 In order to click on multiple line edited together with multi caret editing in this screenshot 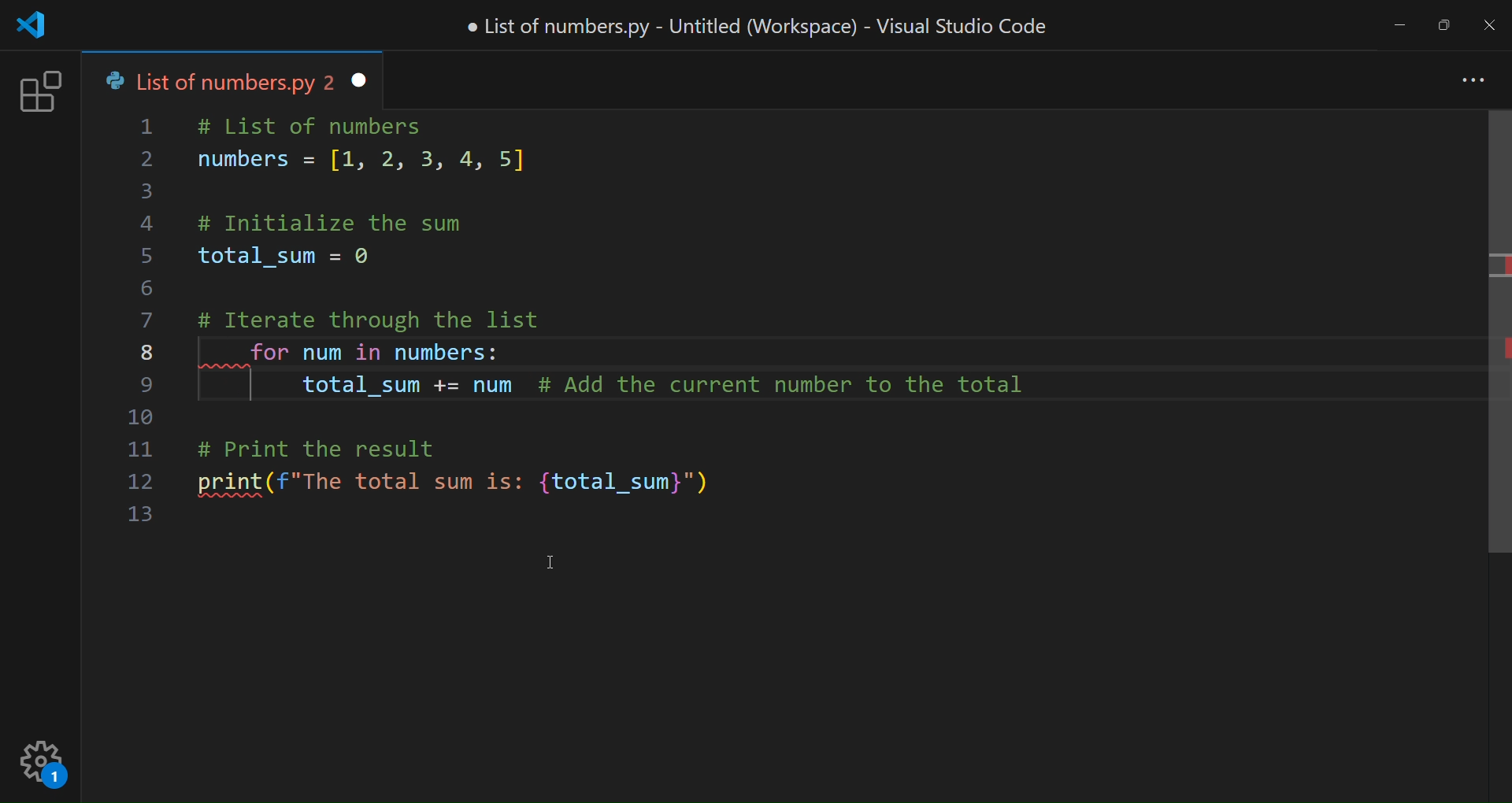, I will do `click(628, 368)`.